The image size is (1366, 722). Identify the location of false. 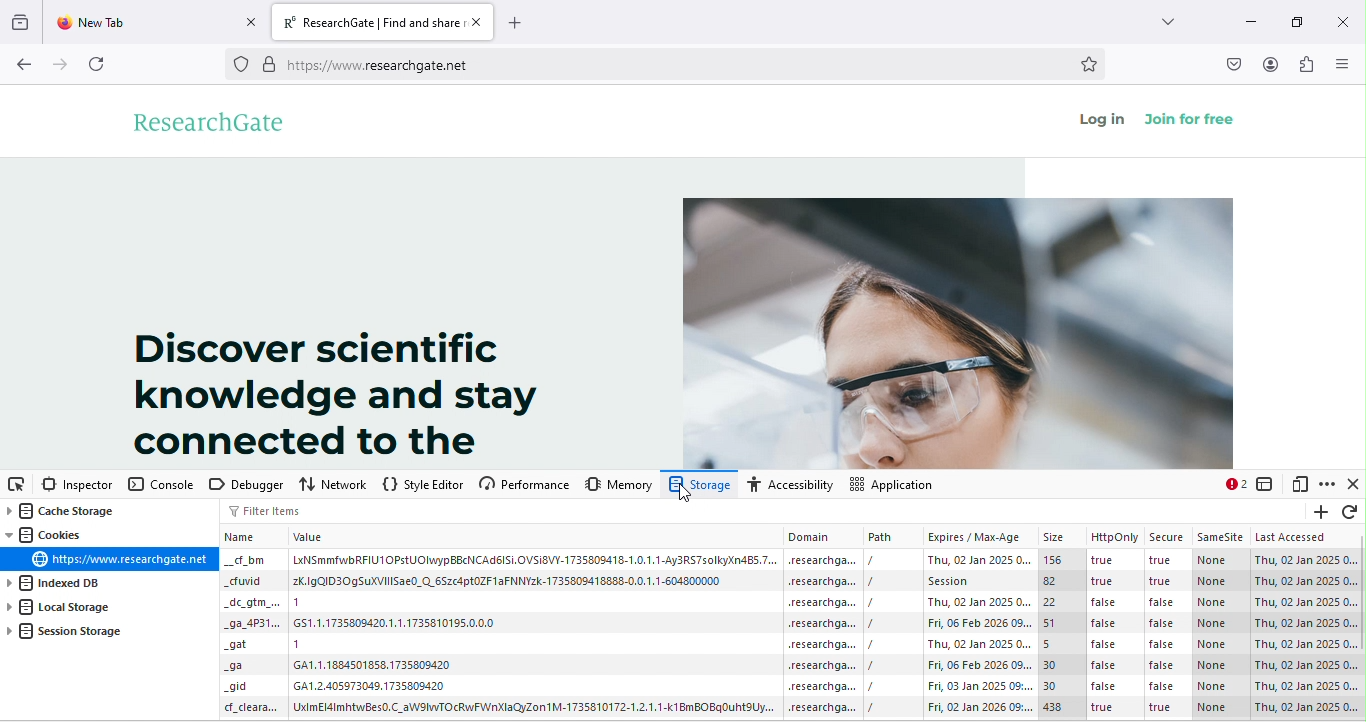
(1166, 644).